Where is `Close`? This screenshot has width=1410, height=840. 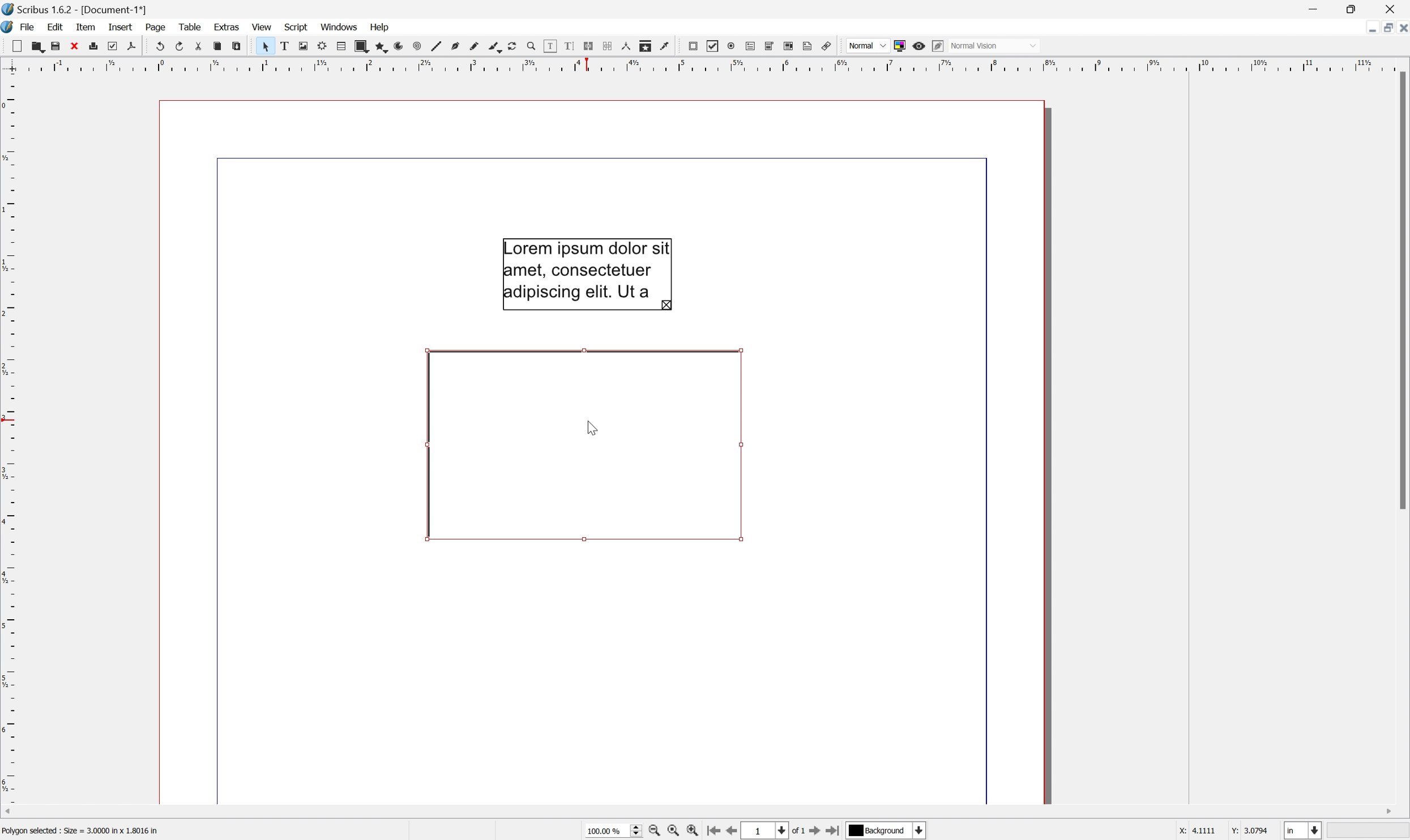 Close is located at coordinates (1401, 27).